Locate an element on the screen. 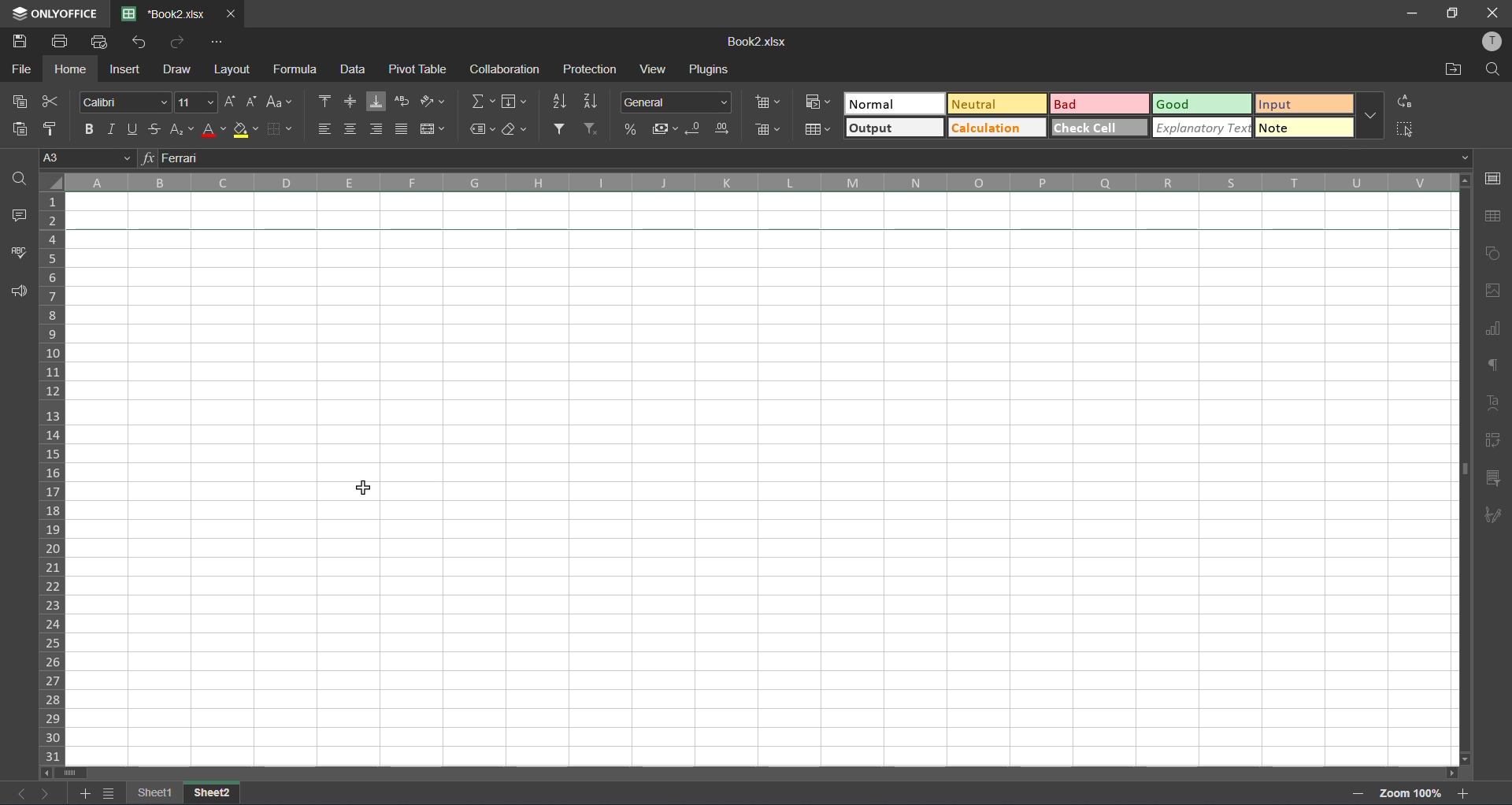  select all is located at coordinates (1406, 128).